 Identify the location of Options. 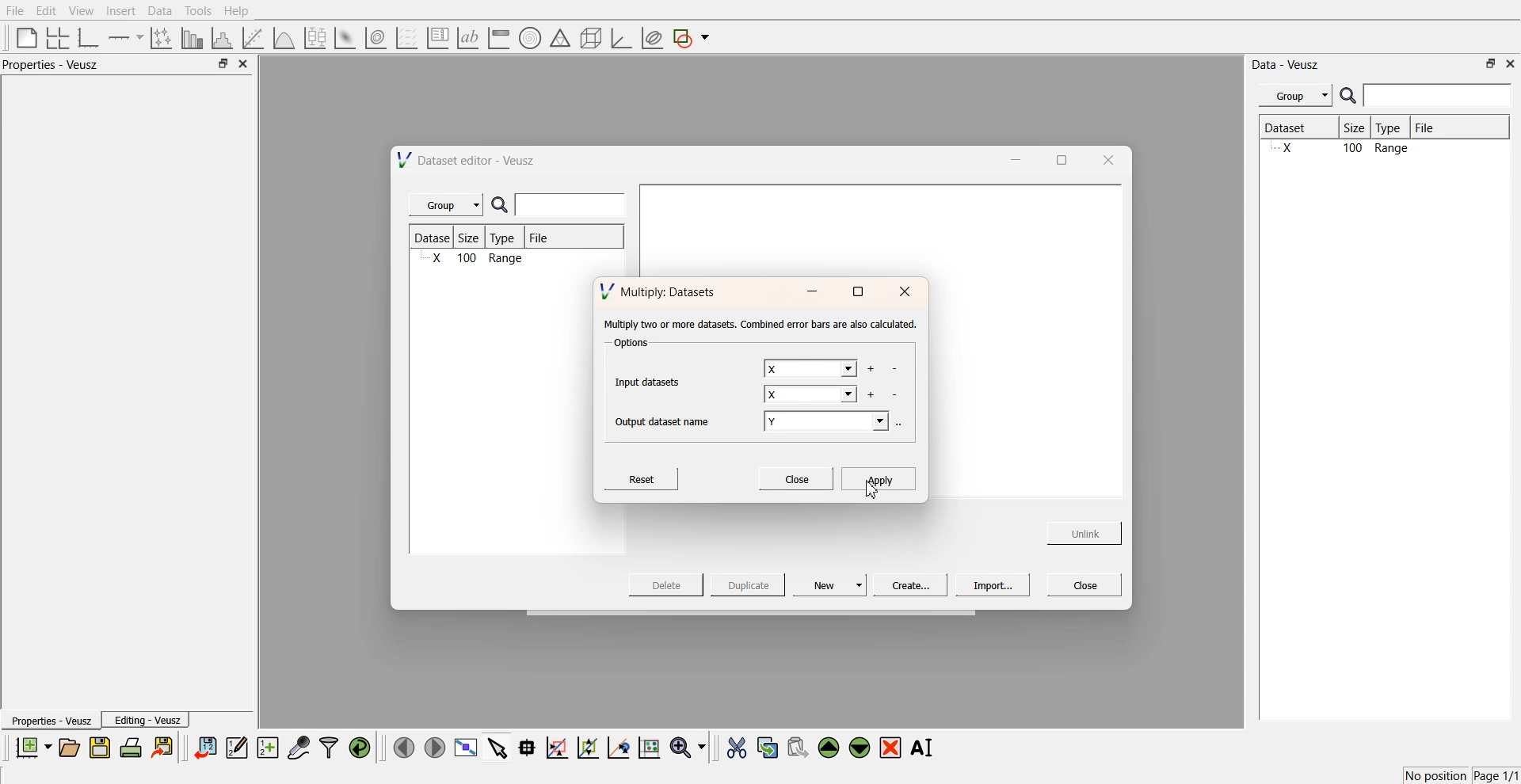
(629, 344).